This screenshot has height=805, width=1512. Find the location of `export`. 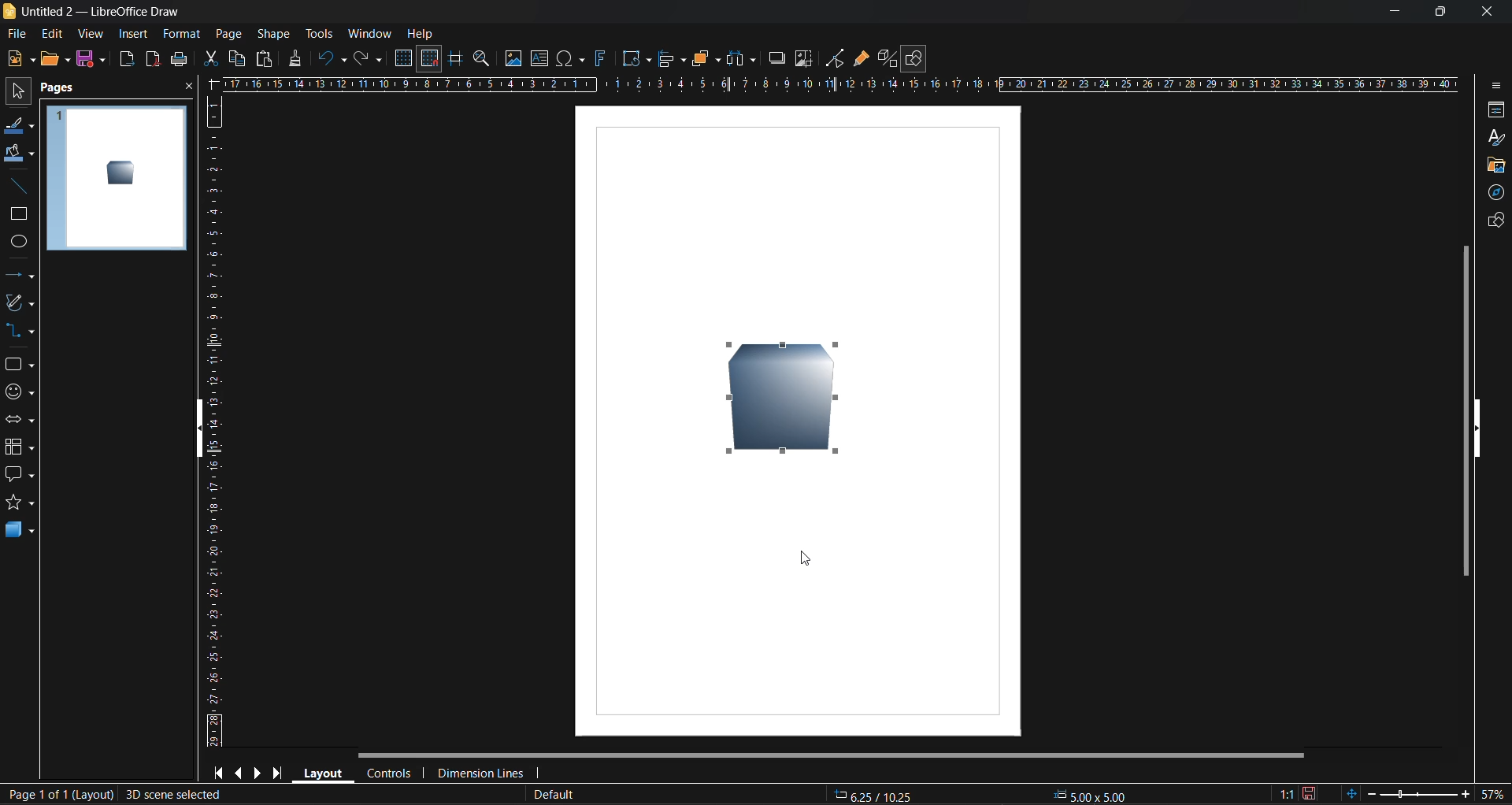

export is located at coordinates (128, 61).